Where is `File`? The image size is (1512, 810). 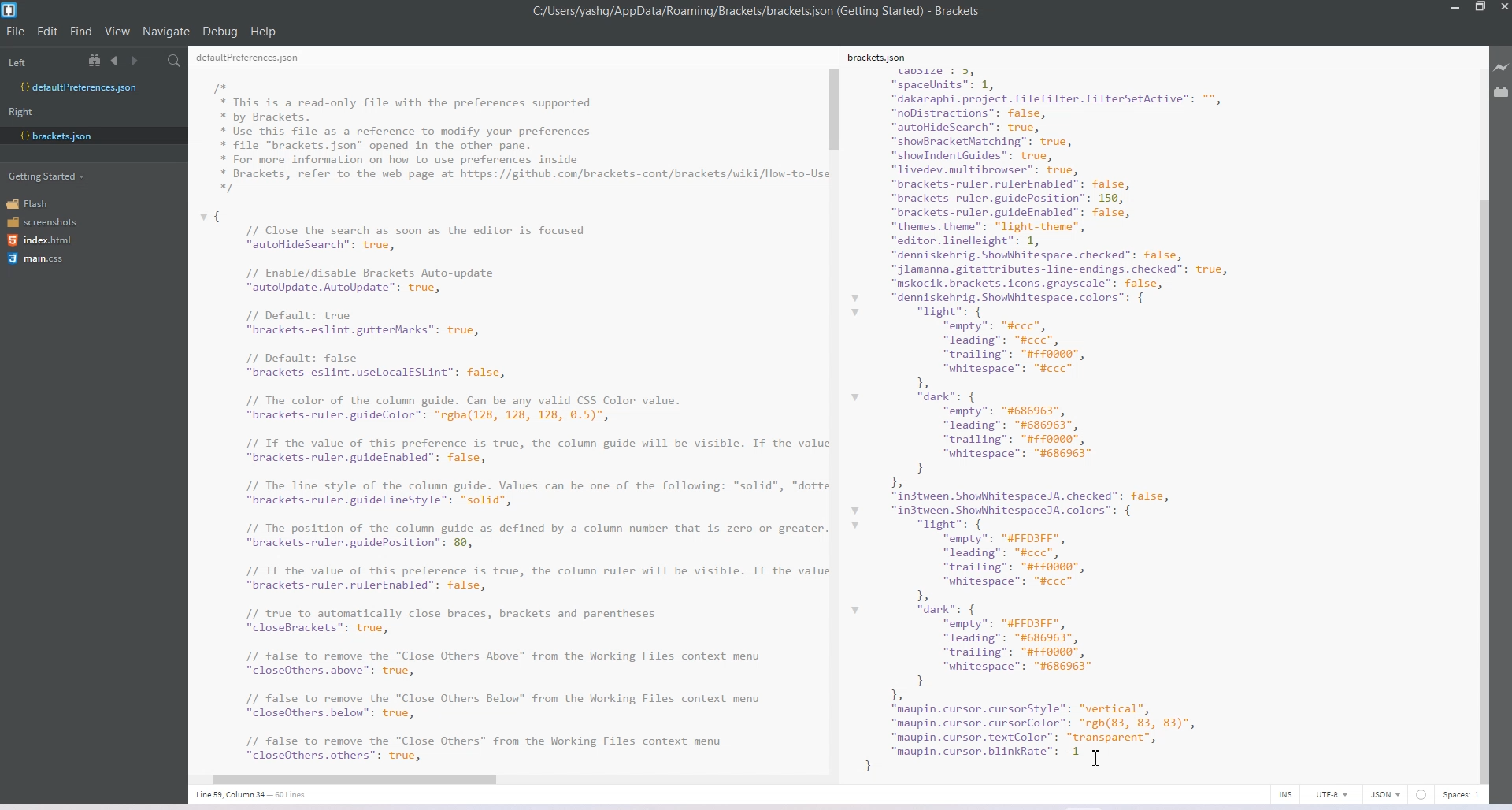
File is located at coordinates (16, 31).